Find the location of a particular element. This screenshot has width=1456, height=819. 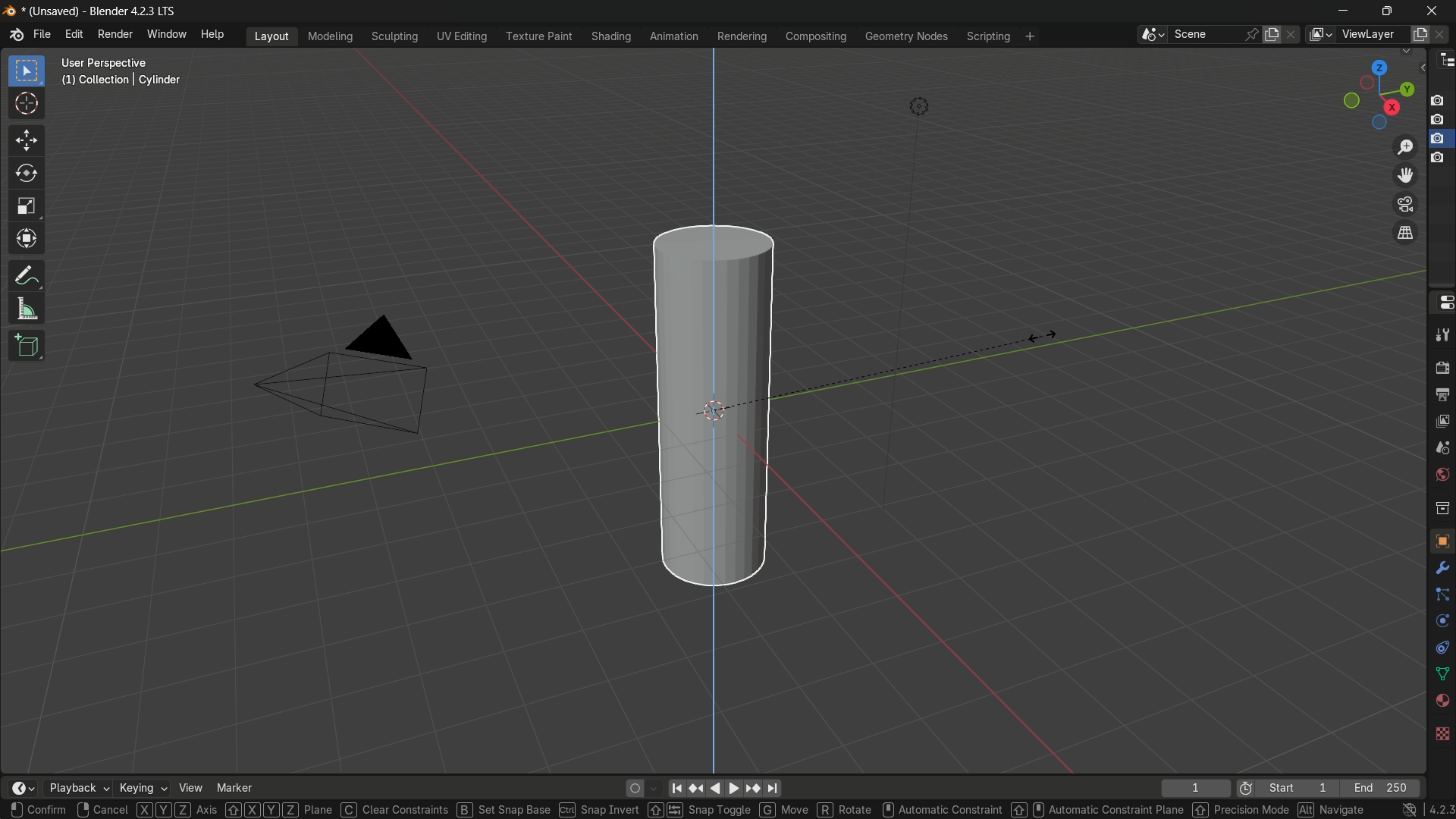

tools is located at coordinates (1441, 337).